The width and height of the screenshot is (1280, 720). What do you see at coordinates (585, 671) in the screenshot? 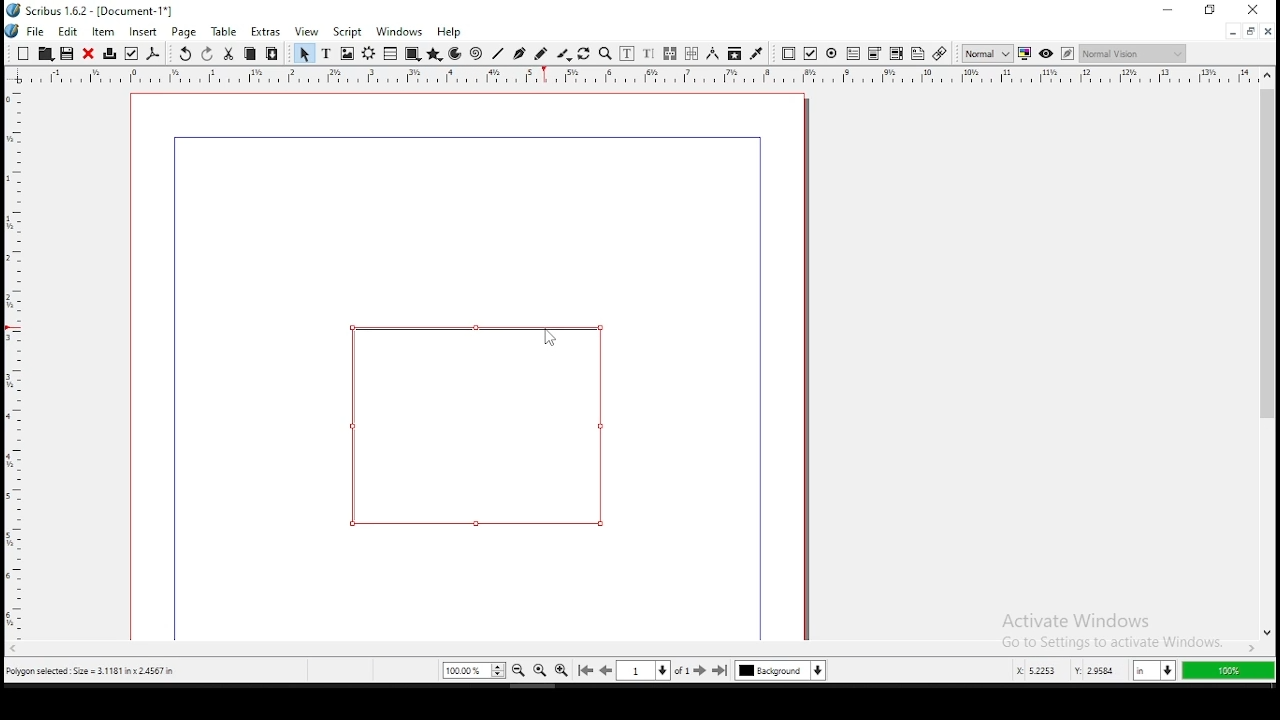
I see `go to first page` at bounding box center [585, 671].